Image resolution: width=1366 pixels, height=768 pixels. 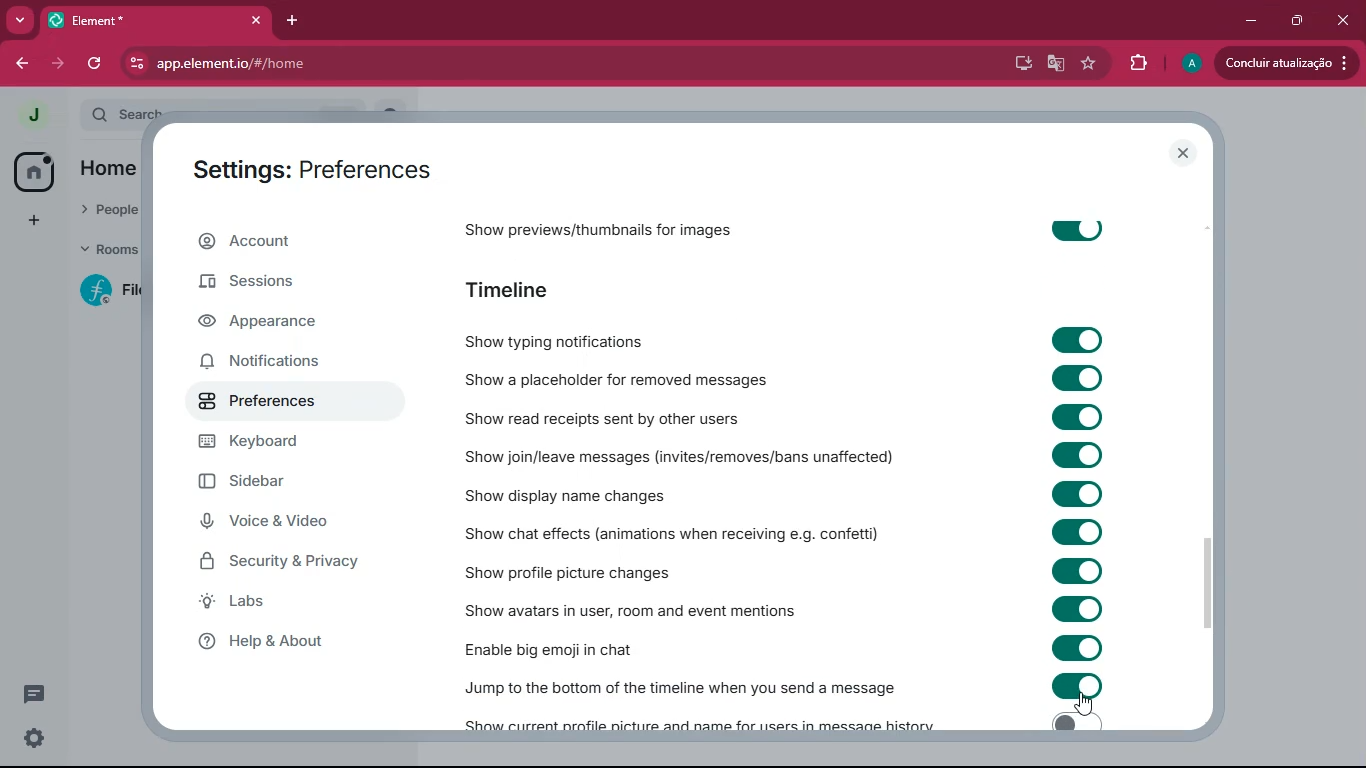 What do you see at coordinates (27, 174) in the screenshot?
I see `home` at bounding box center [27, 174].